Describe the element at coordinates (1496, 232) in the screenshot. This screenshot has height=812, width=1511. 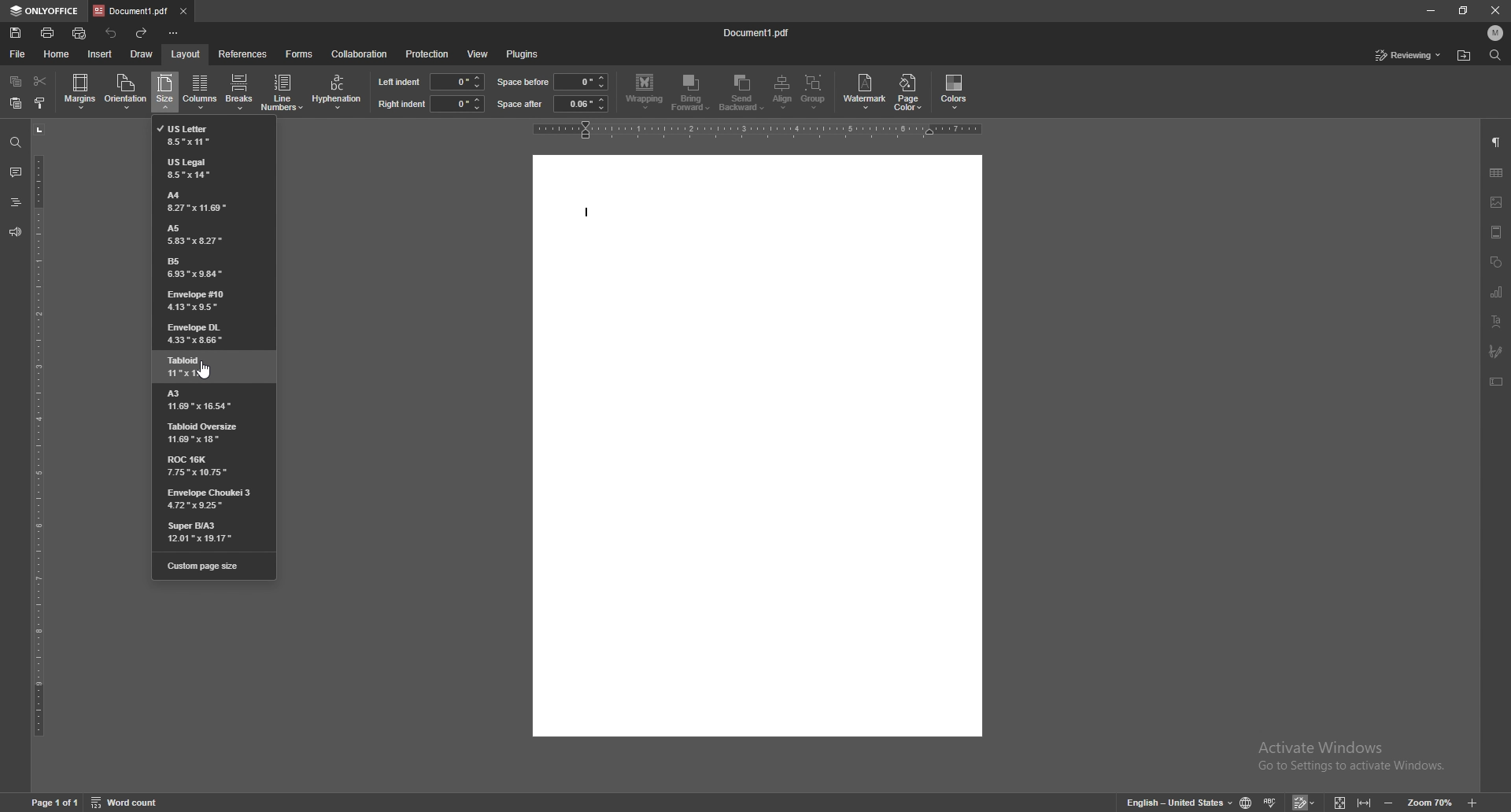
I see `header and footer` at that location.